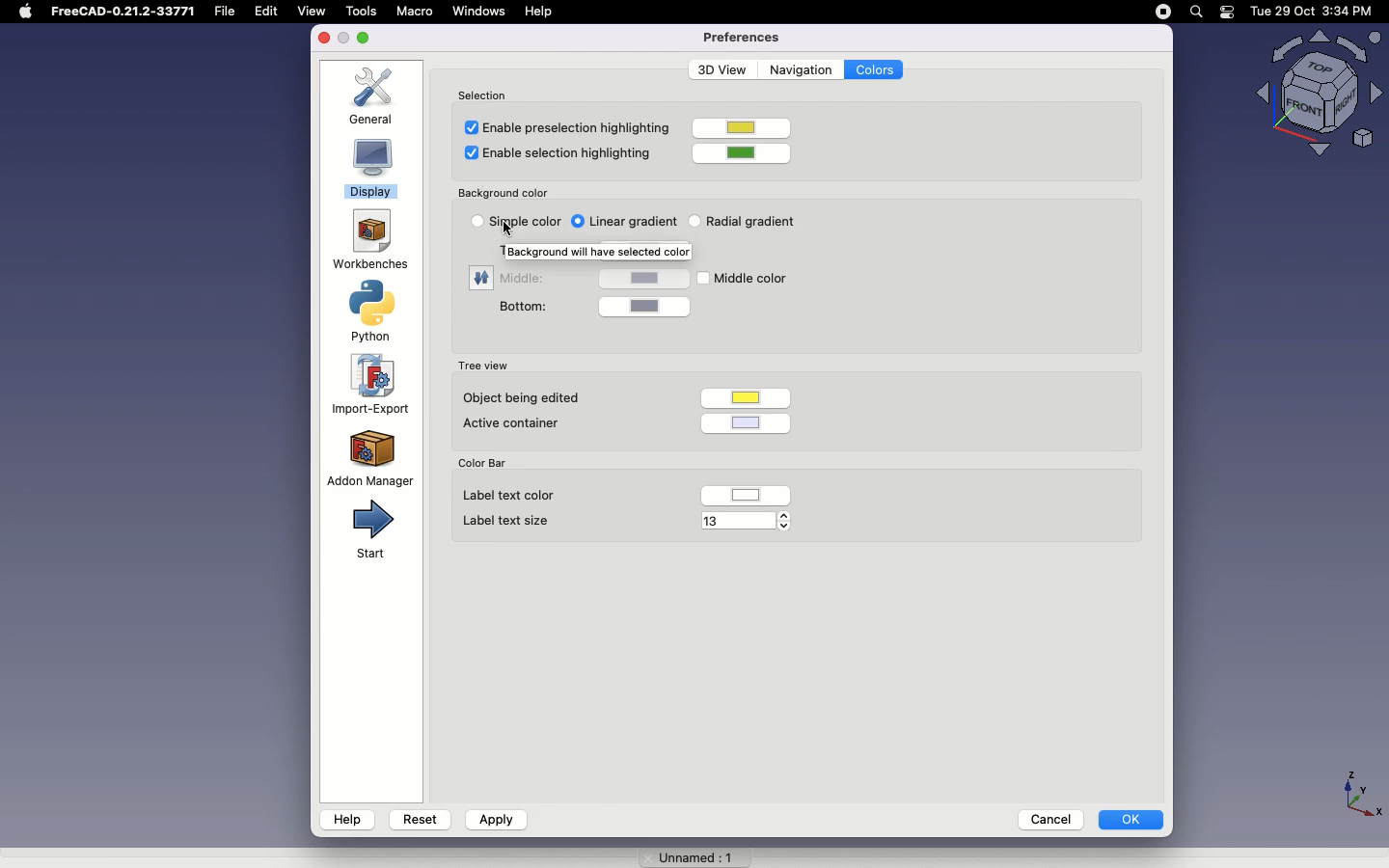  What do you see at coordinates (748, 421) in the screenshot?
I see `color` at bounding box center [748, 421].